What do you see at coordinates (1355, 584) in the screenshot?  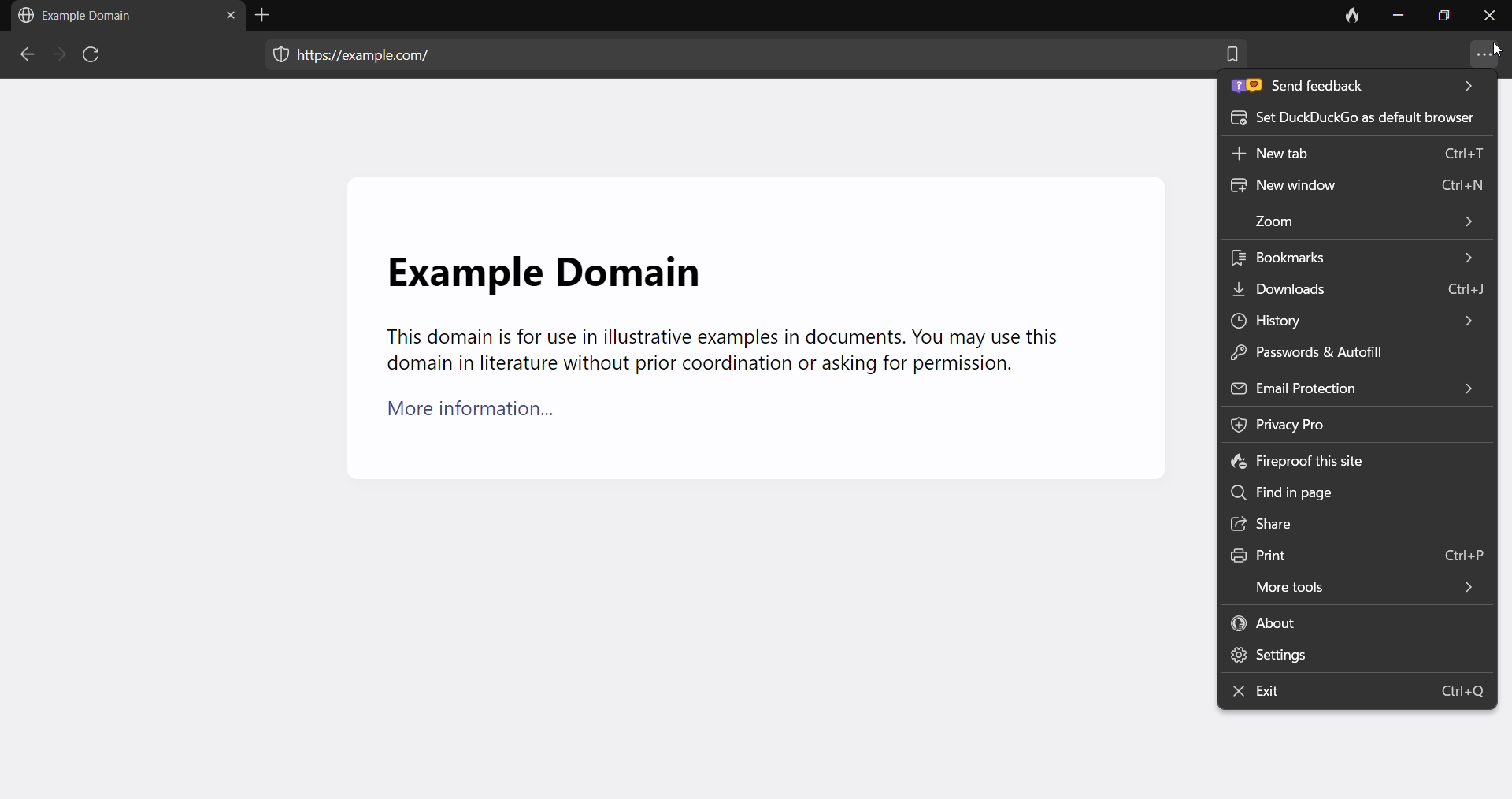 I see `more tools` at bounding box center [1355, 584].